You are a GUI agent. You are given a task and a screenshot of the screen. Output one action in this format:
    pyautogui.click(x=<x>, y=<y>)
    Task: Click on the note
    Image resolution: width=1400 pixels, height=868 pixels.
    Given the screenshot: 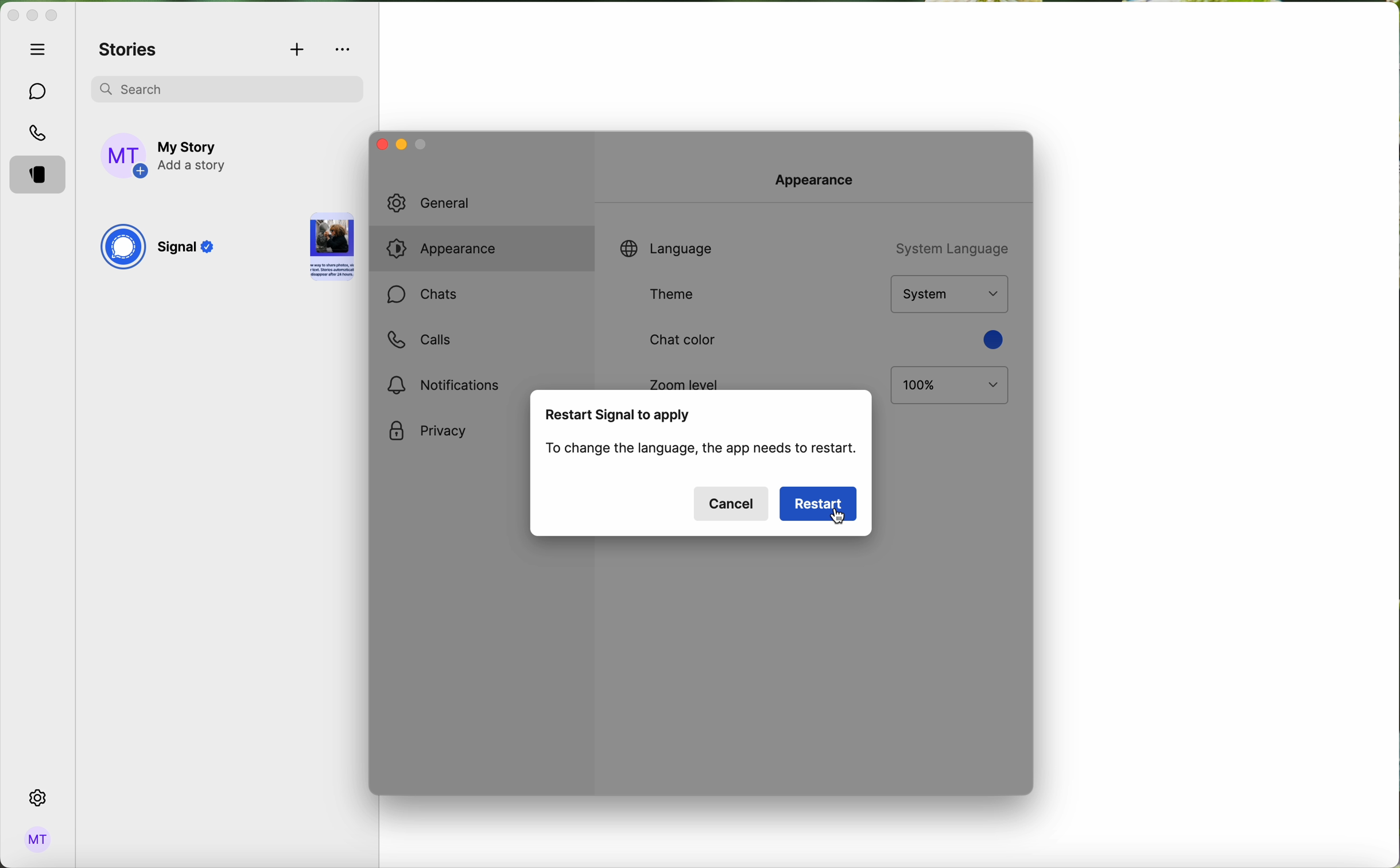 What is the action you would take?
    pyautogui.click(x=703, y=451)
    